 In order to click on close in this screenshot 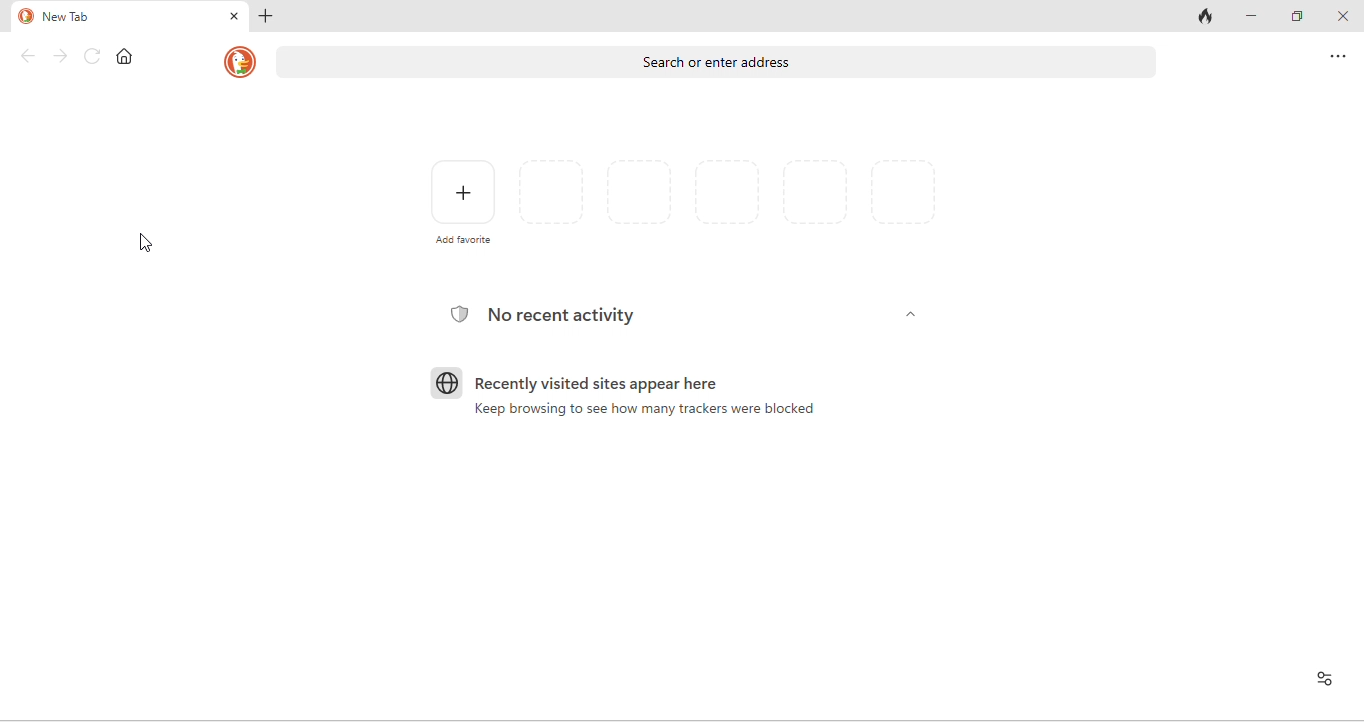, I will do `click(1344, 19)`.